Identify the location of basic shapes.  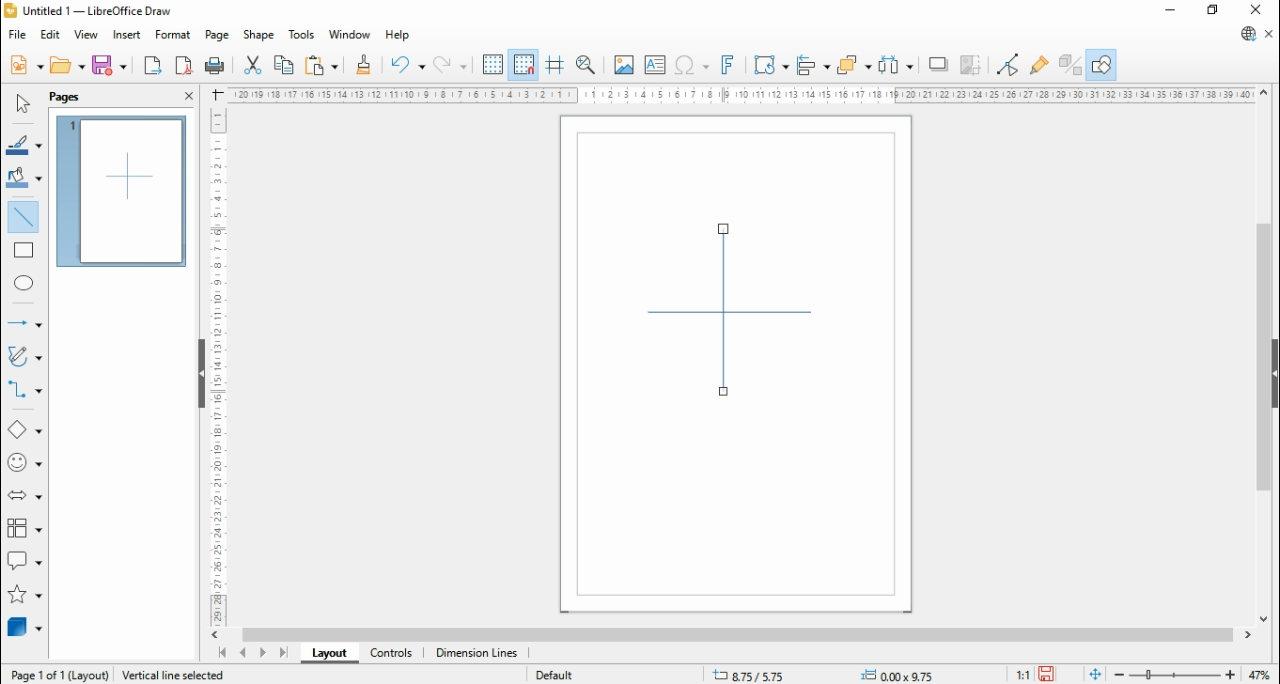
(24, 430).